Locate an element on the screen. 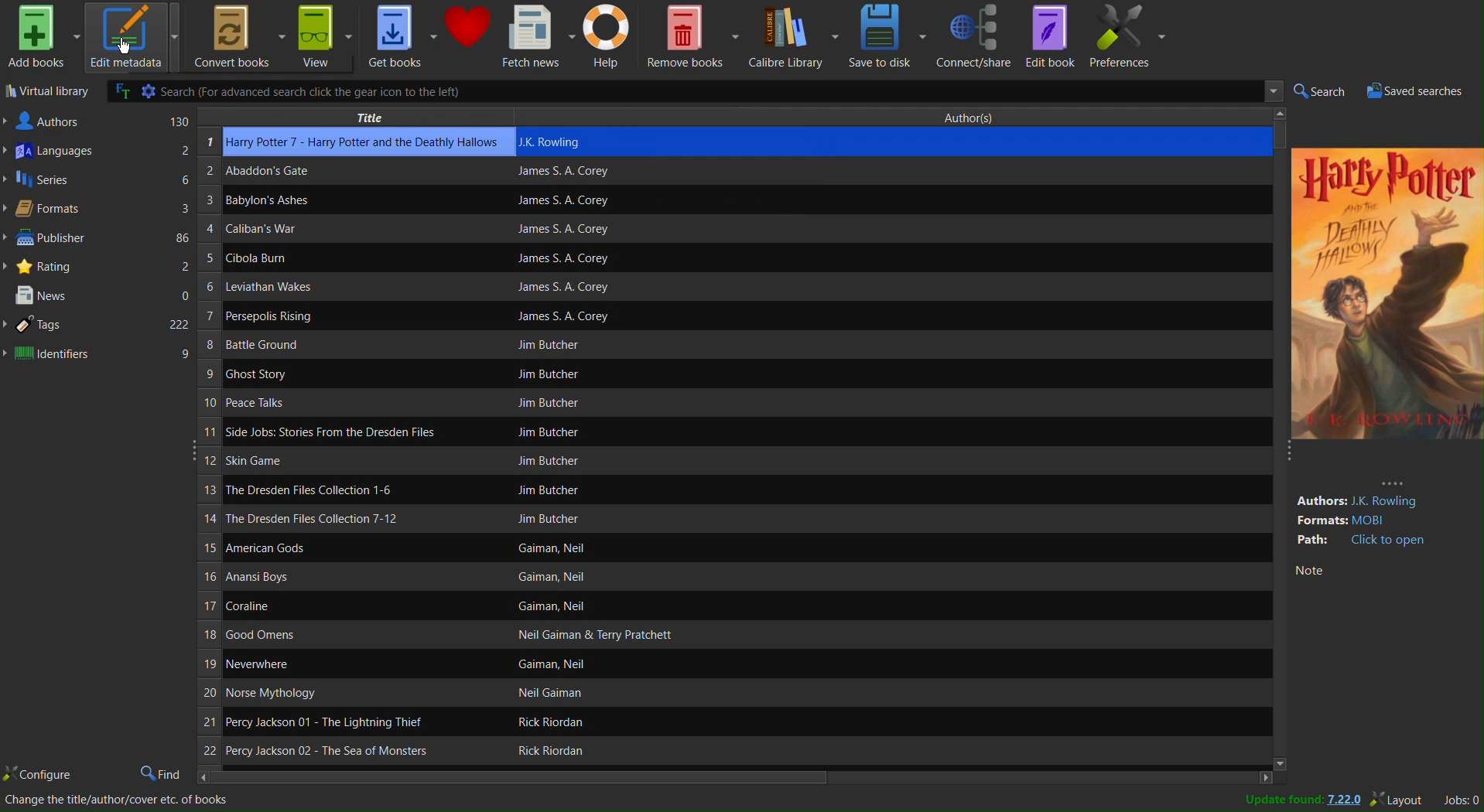  Author’s name is located at coordinates (729, 346).